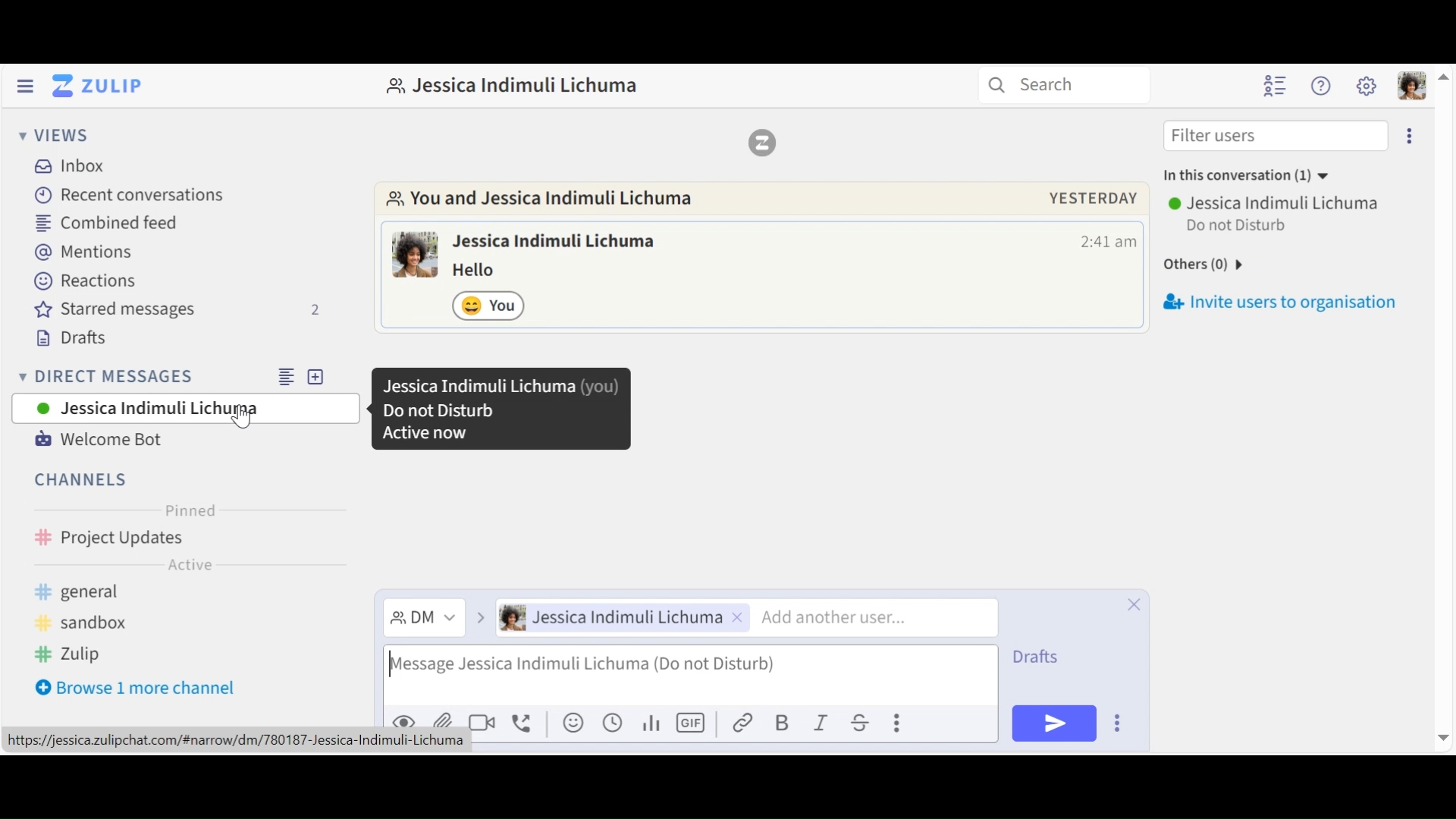 This screenshot has height=819, width=1456. I want to click on Add GIF, so click(693, 723).